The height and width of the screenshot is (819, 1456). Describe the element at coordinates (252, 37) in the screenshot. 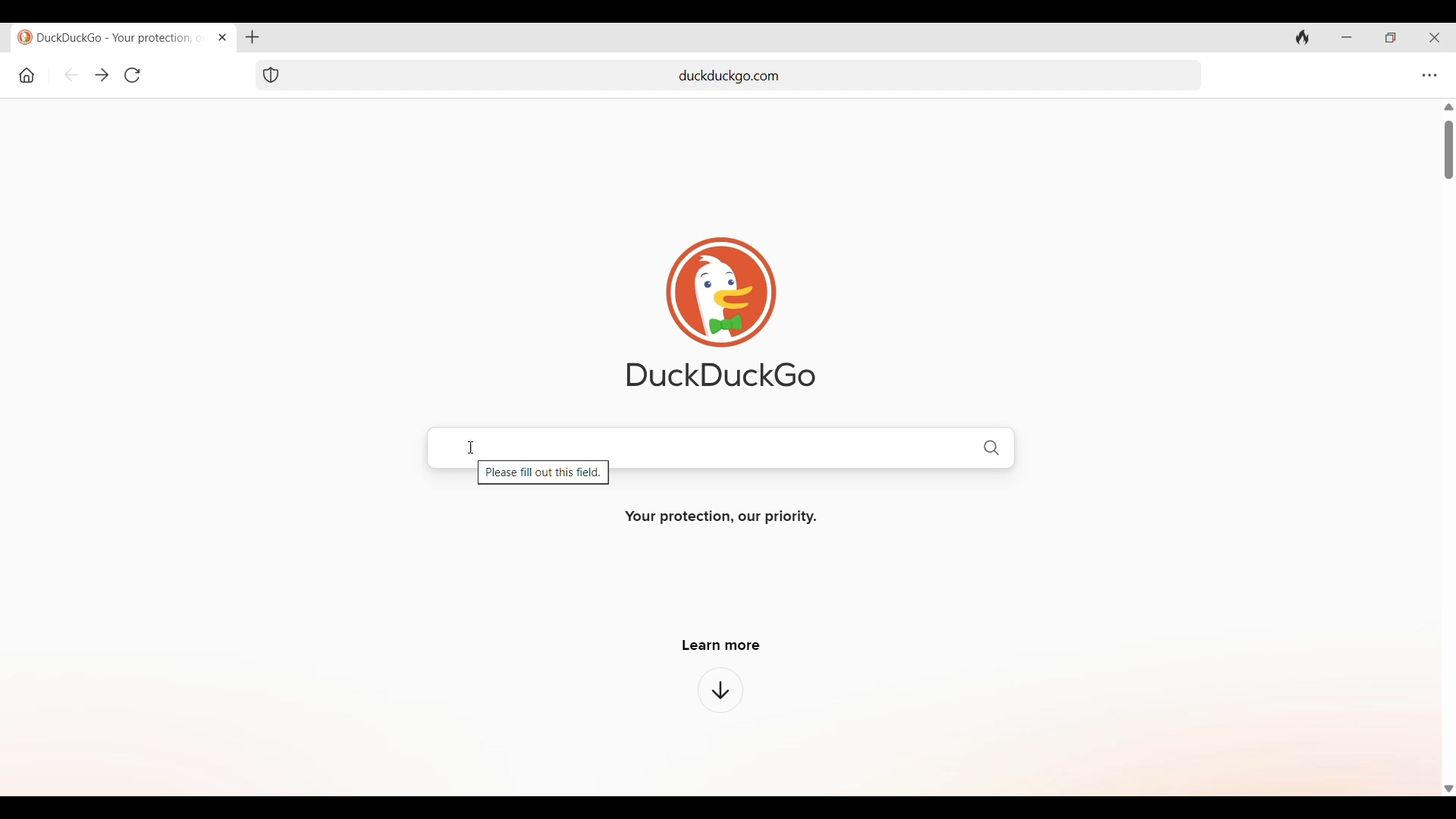

I see `Add new tab` at that location.